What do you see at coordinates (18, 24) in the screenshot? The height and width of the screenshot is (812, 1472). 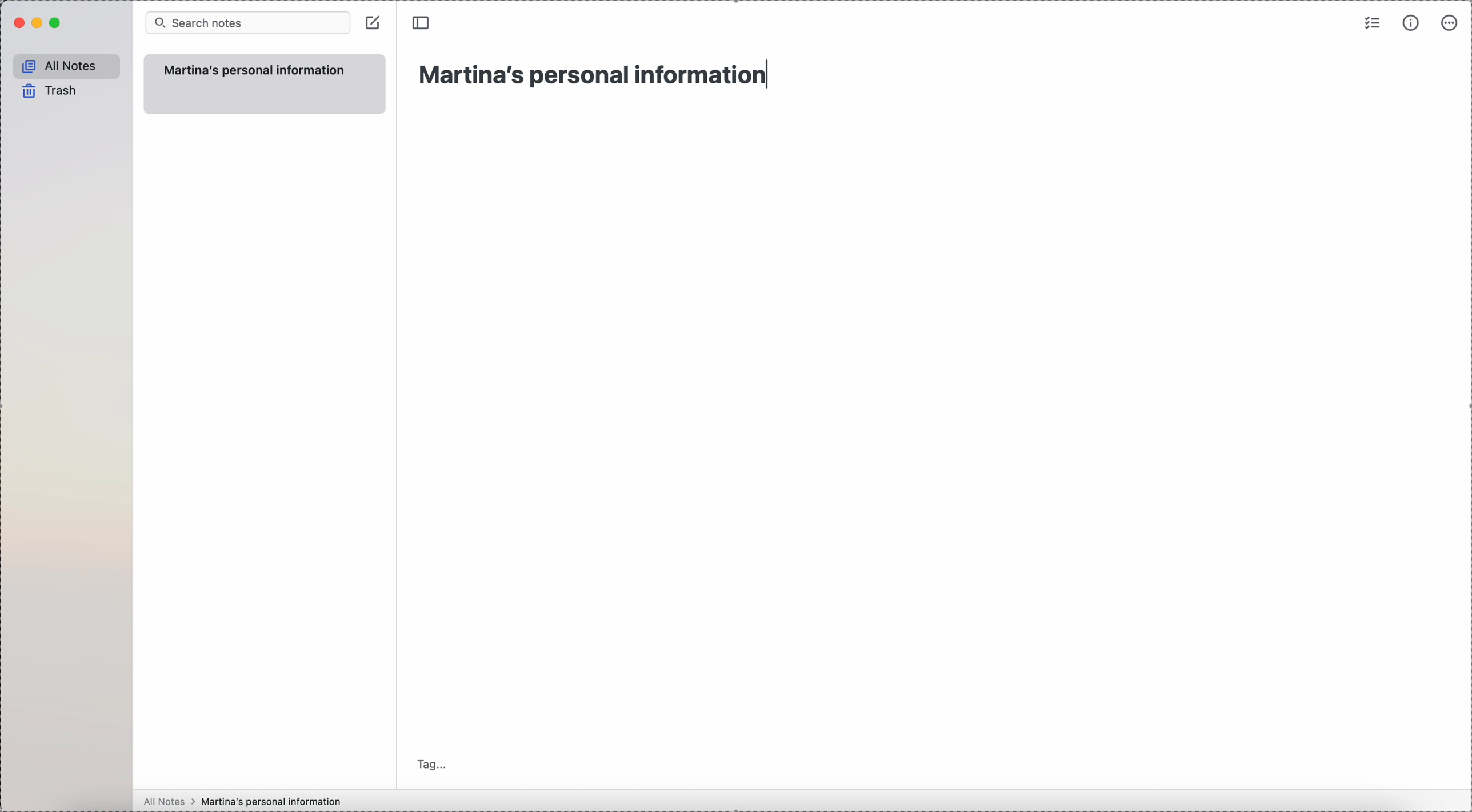 I see `close Simplenote` at bounding box center [18, 24].